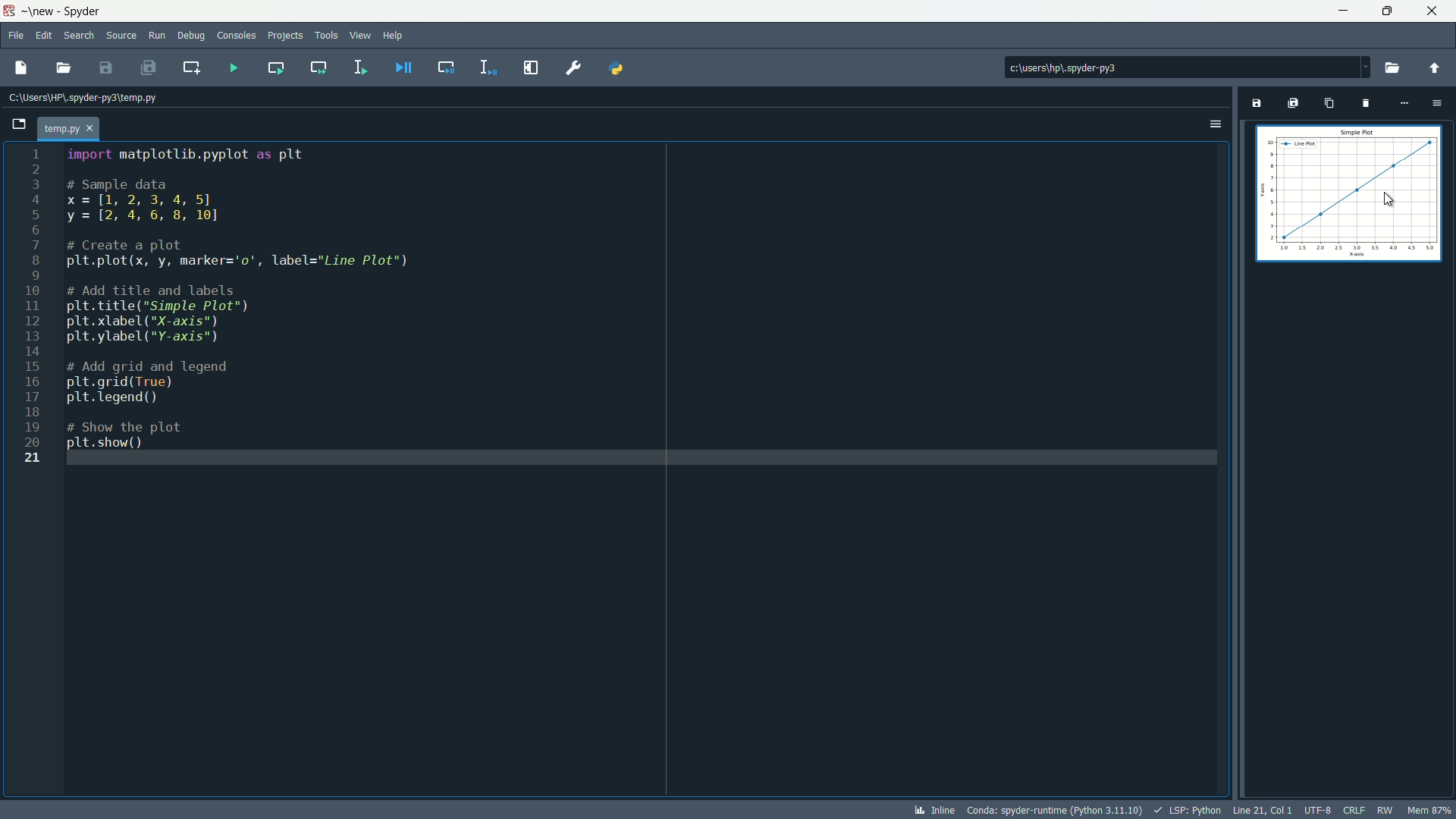  What do you see at coordinates (1264, 810) in the screenshot?
I see `cursor position` at bounding box center [1264, 810].